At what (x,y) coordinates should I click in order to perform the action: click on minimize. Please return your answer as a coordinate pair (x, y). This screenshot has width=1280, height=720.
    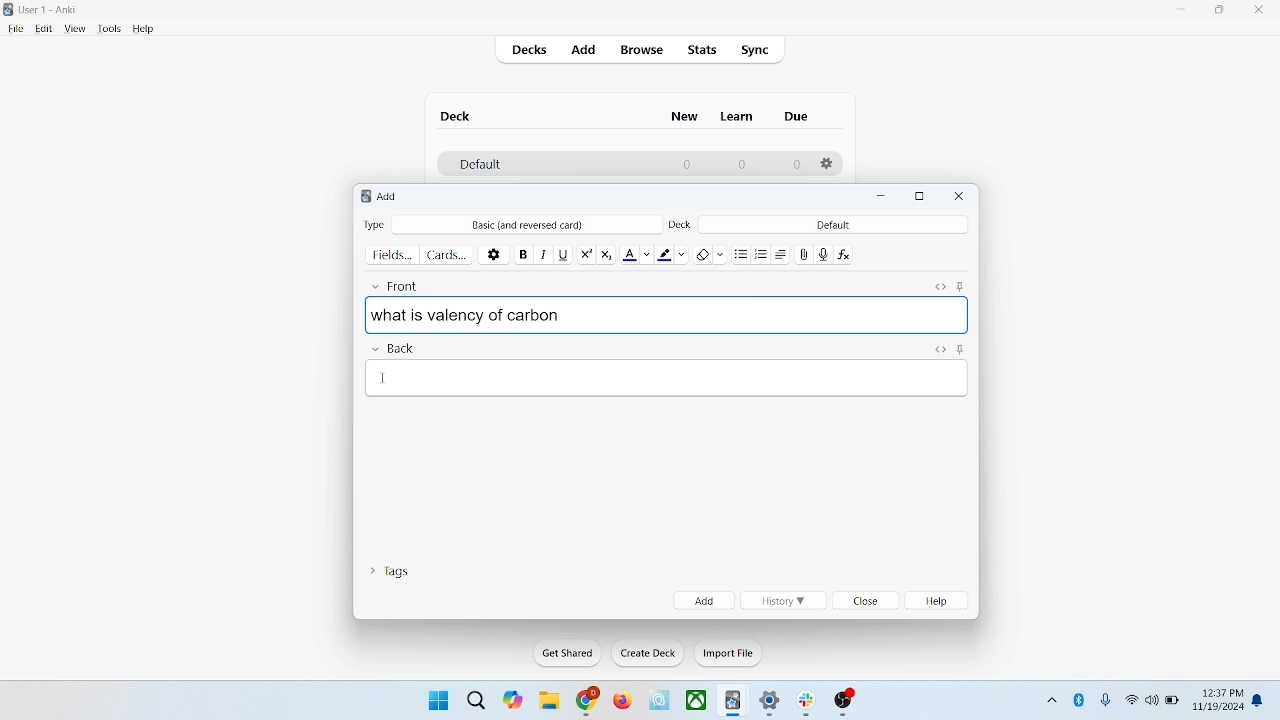
    Looking at the image, I should click on (884, 197).